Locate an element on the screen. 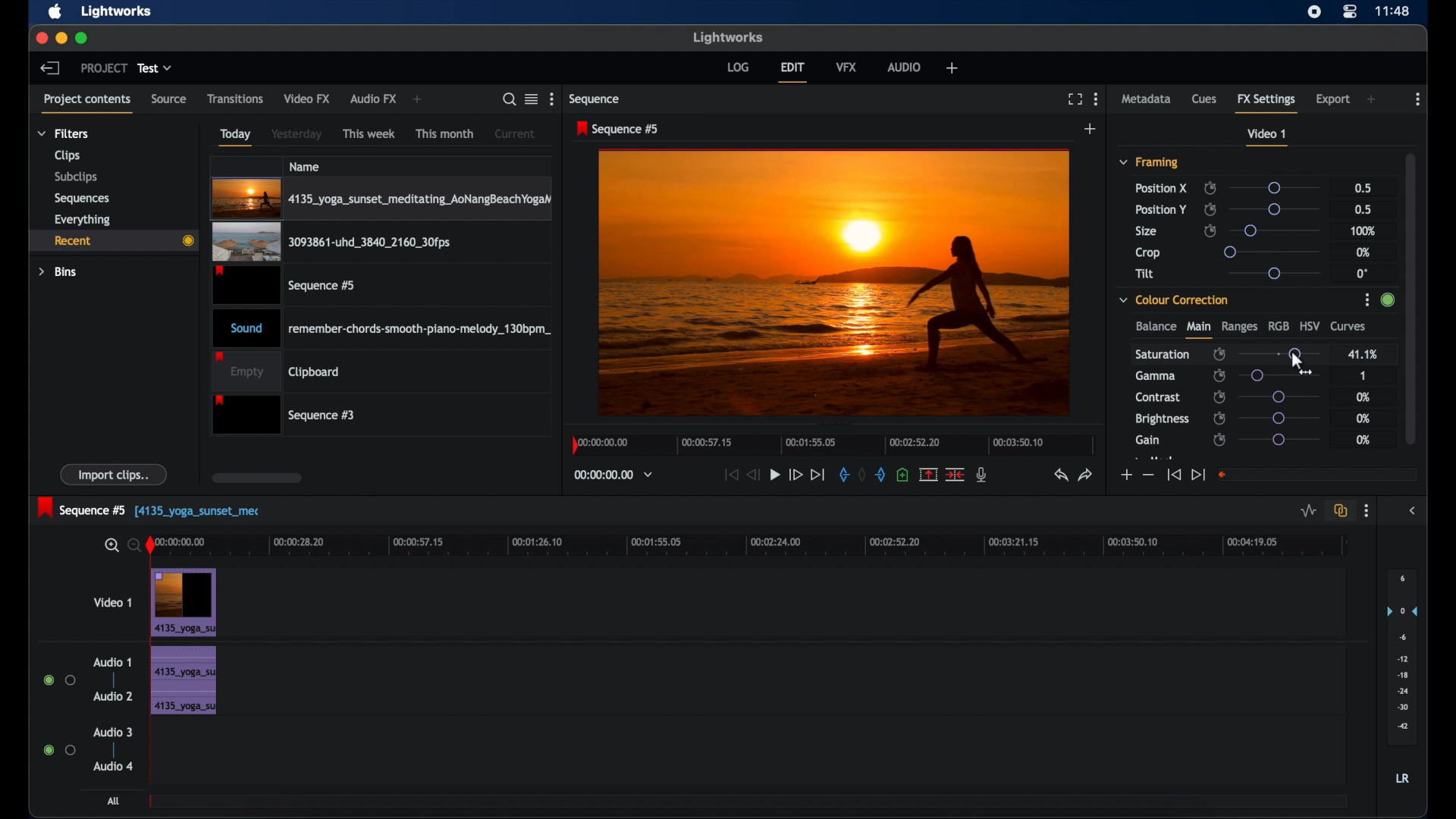 The height and width of the screenshot is (819, 1456). audio  is located at coordinates (182, 680).